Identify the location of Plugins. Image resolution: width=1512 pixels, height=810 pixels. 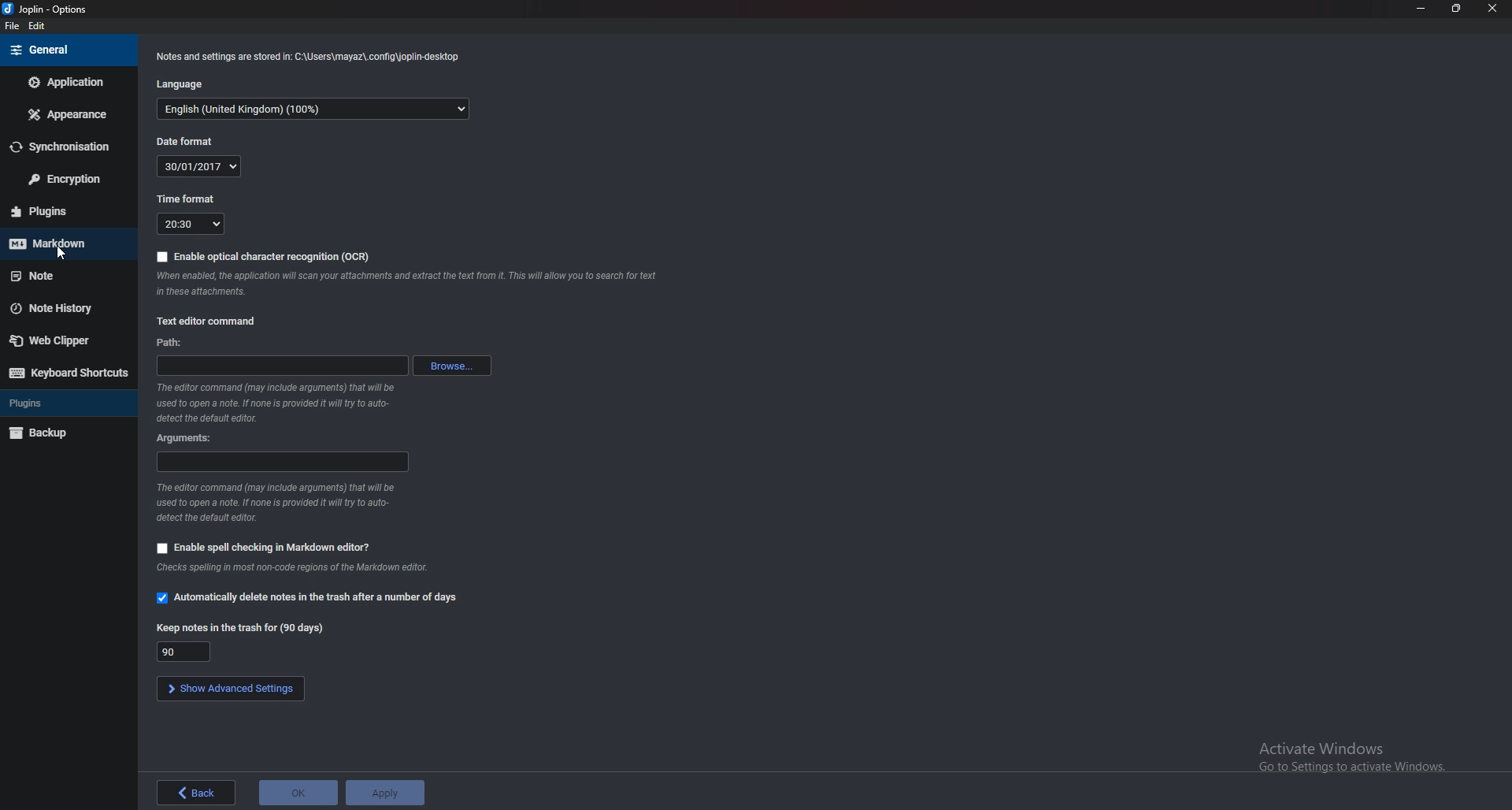
(61, 405).